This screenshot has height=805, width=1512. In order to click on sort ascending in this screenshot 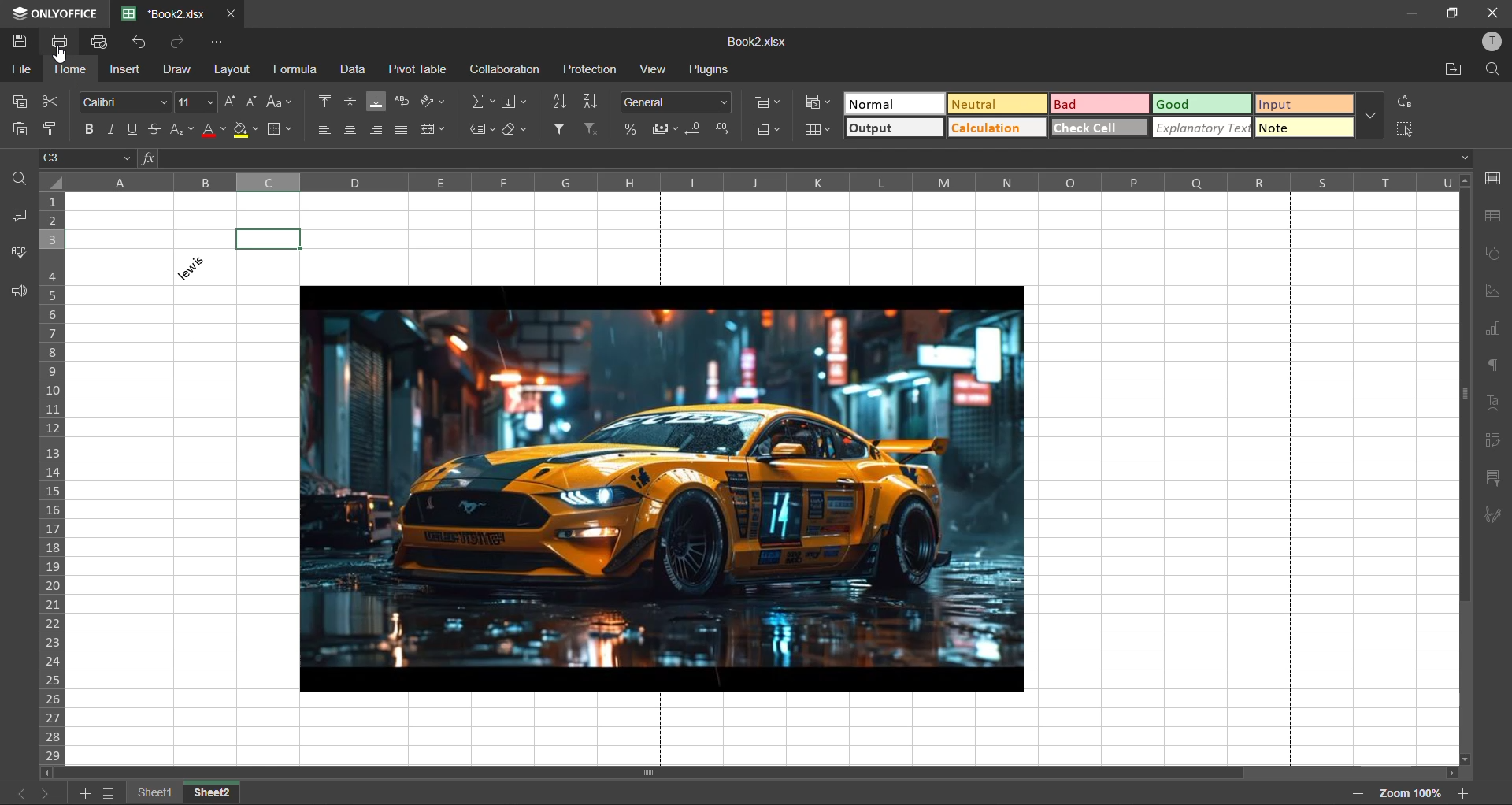, I will do `click(563, 102)`.